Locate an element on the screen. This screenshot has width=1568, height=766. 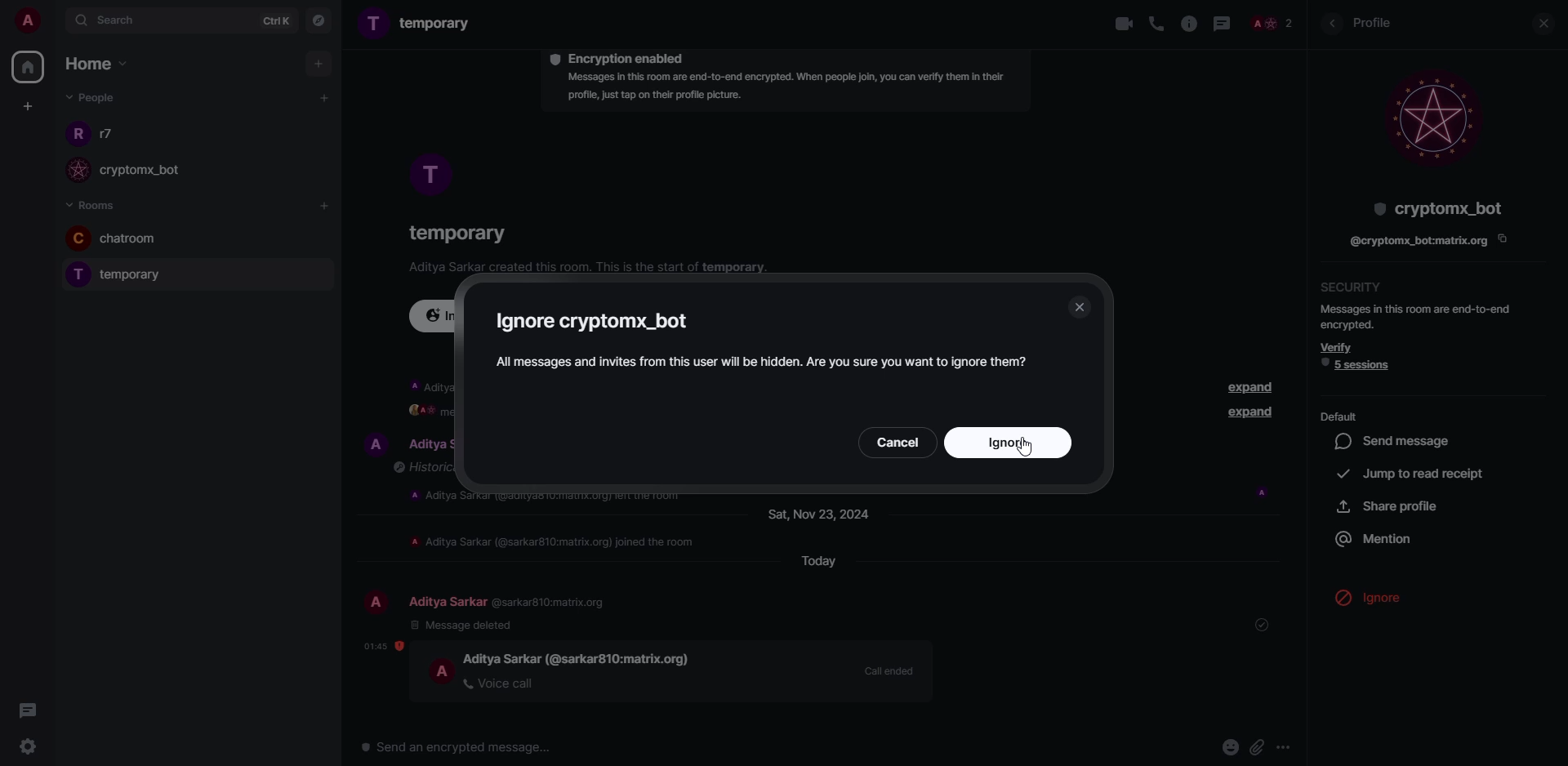
call ended is located at coordinates (888, 670).